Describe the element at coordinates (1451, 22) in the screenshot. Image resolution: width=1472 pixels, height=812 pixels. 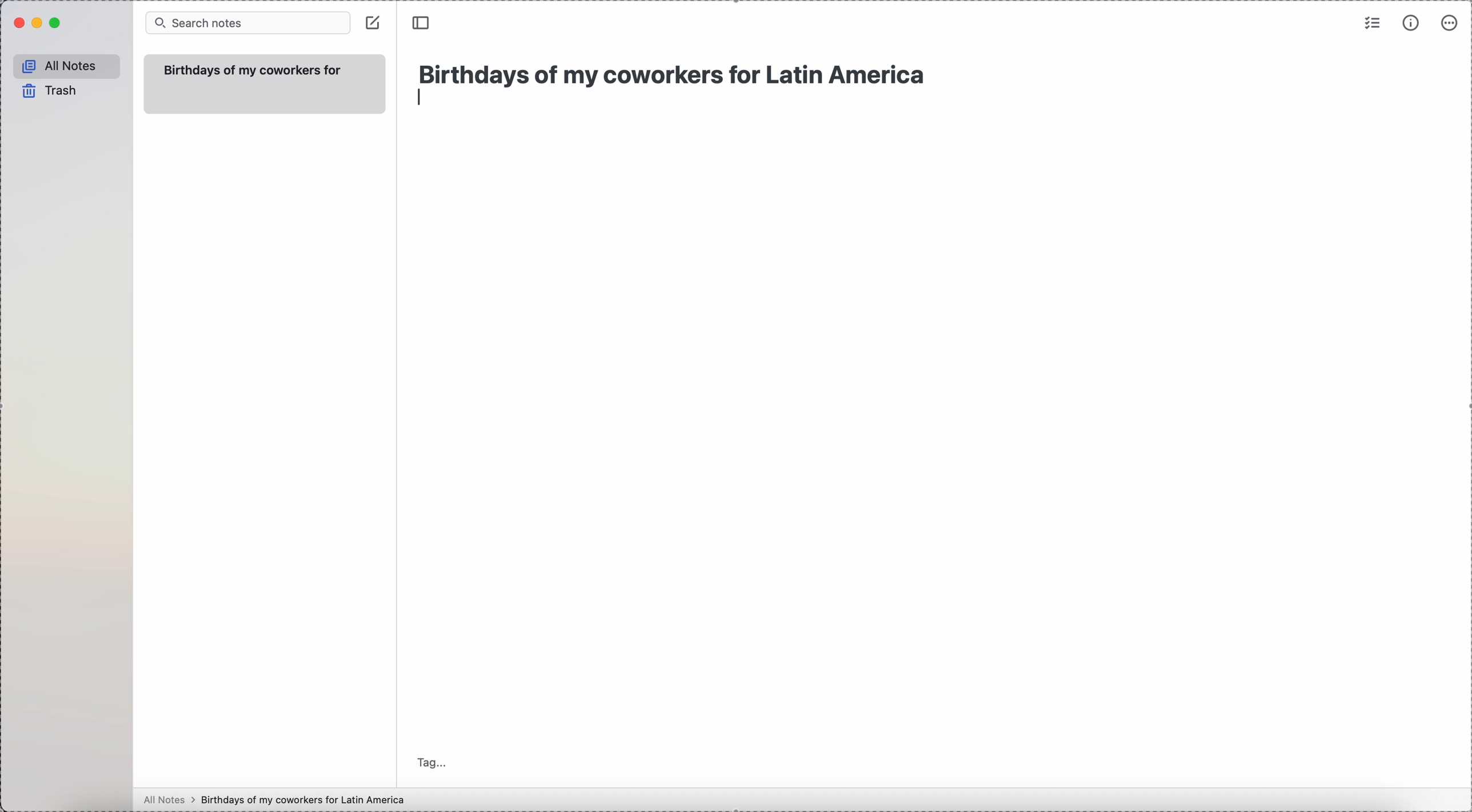
I see `more options` at that location.